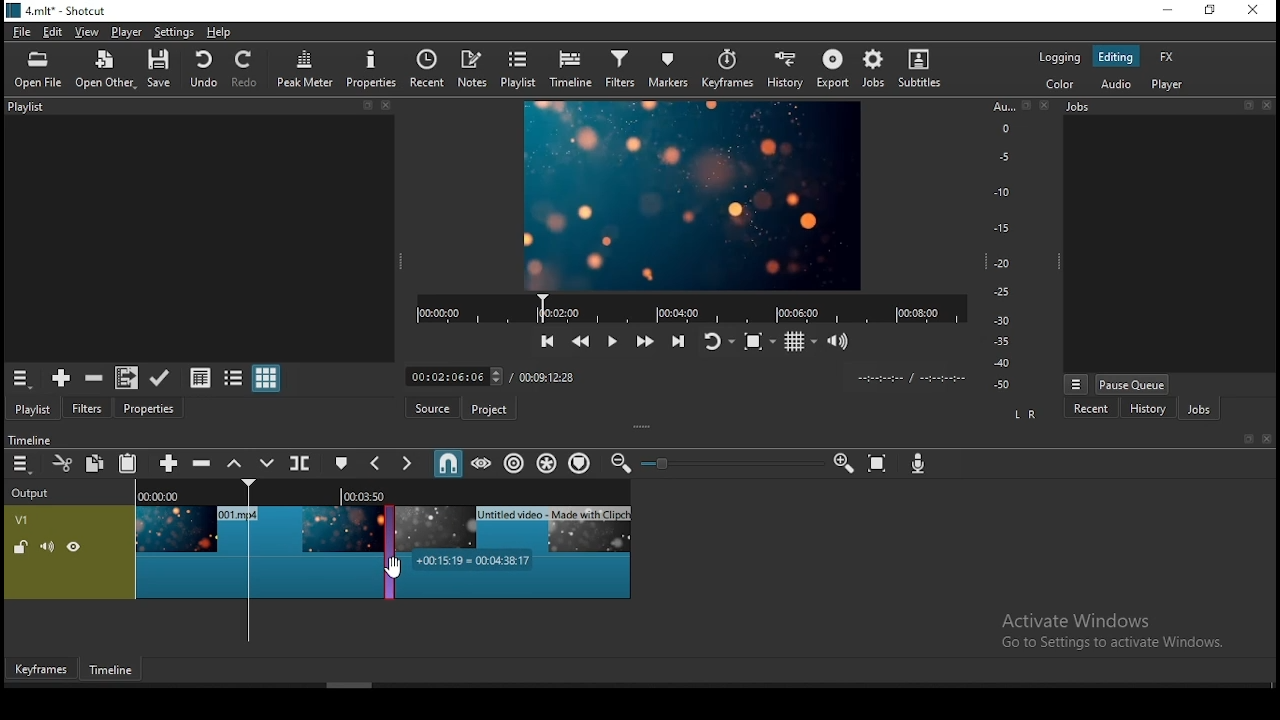 The height and width of the screenshot is (720, 1280). Describe the element at coordinates (342, 462) in the screenshot. I see `create/edit marker` at that location.